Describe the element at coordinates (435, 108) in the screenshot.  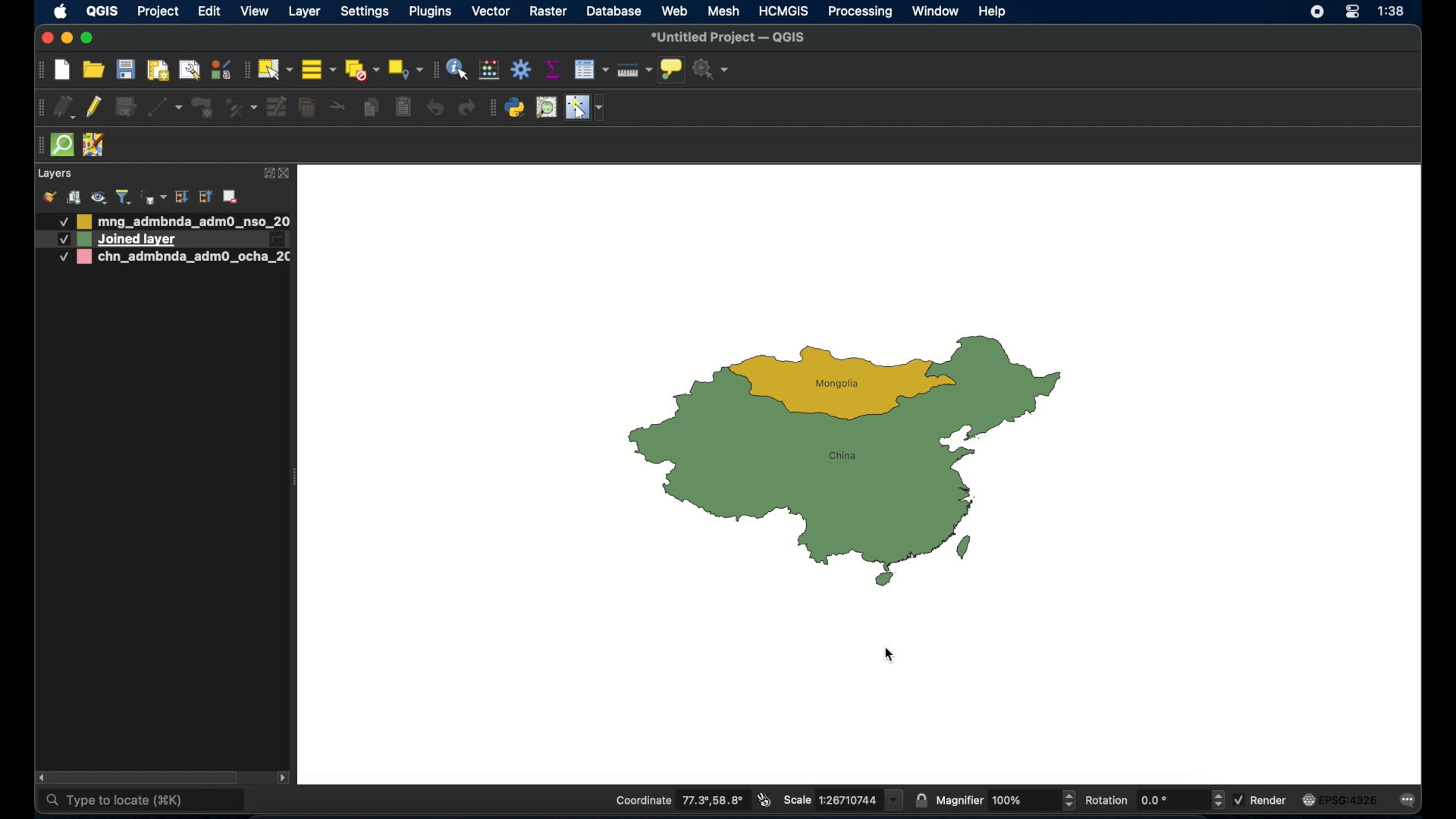
I see `undo` at that location.